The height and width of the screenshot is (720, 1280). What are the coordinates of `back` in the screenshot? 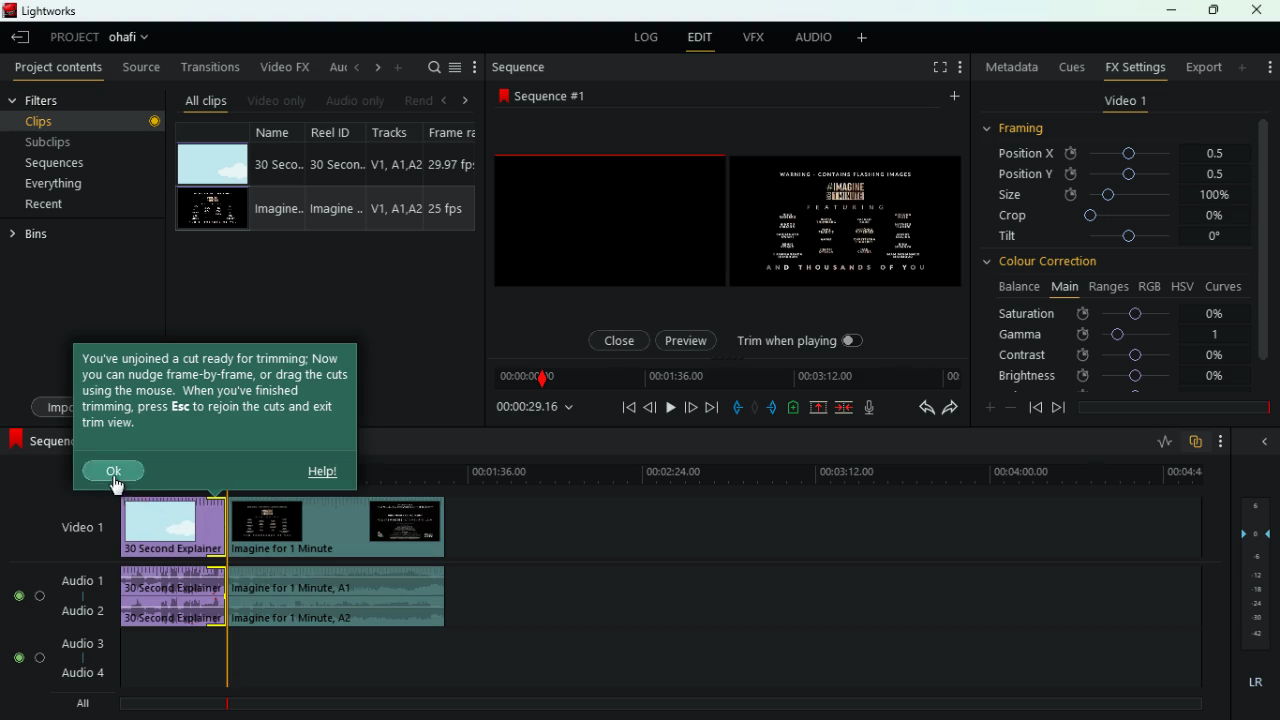 It's located at (23, 39).